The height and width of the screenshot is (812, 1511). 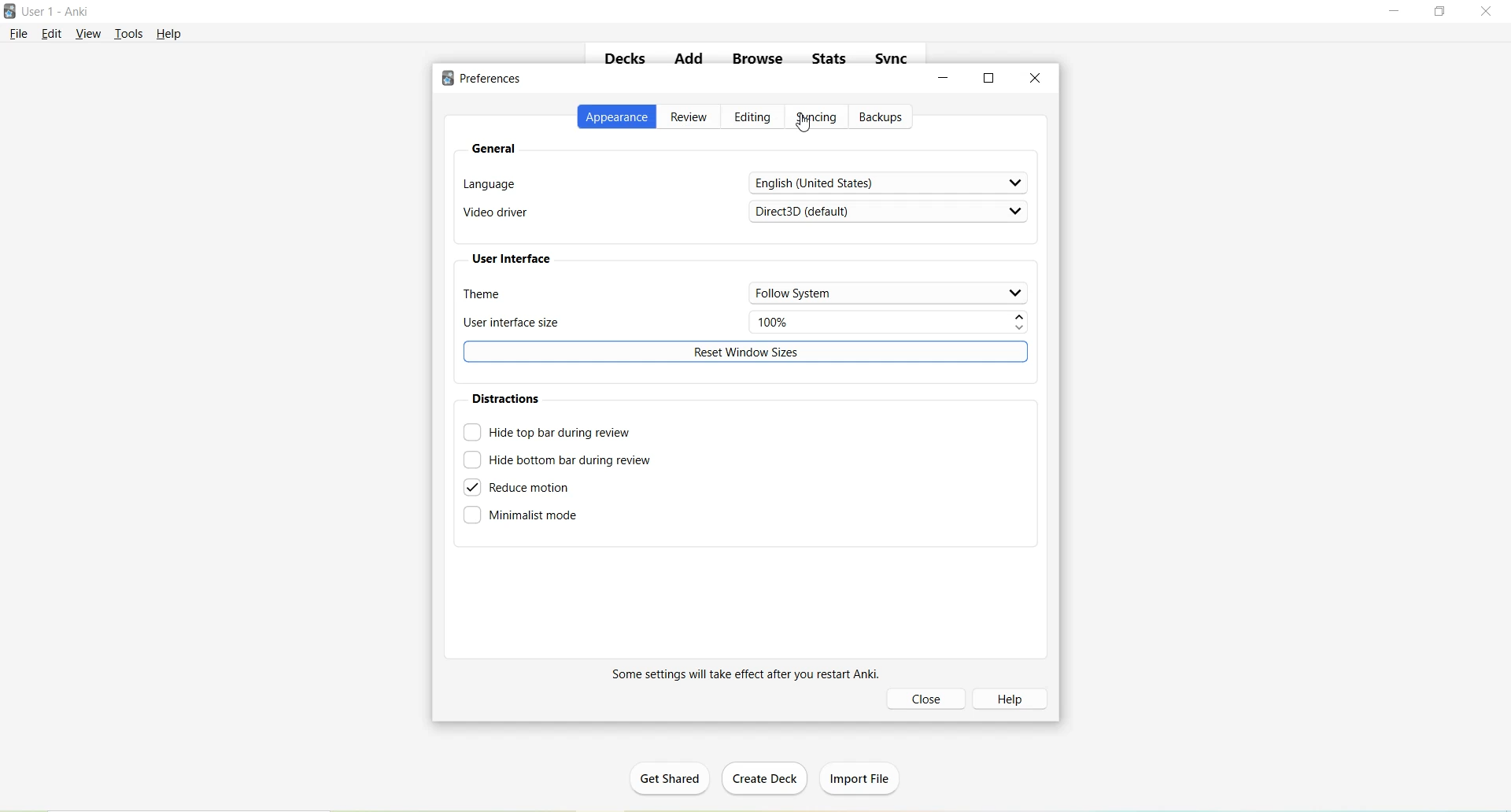 What do you see at coordinates (618, 117) in the screenshot?
I see `Appearance` at bounding box center [618, 117].